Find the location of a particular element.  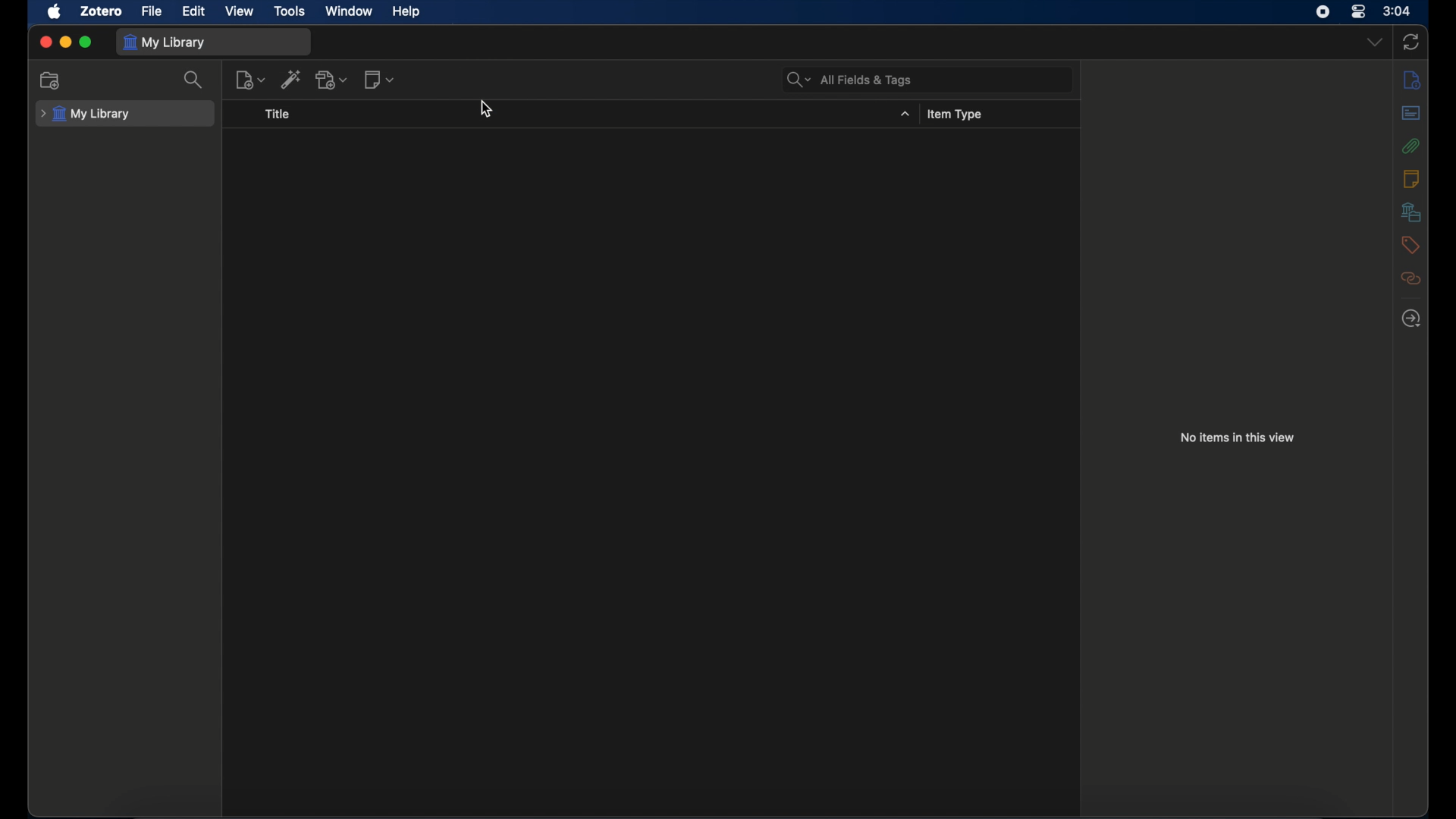

new note is located at coordinates (379, 79).